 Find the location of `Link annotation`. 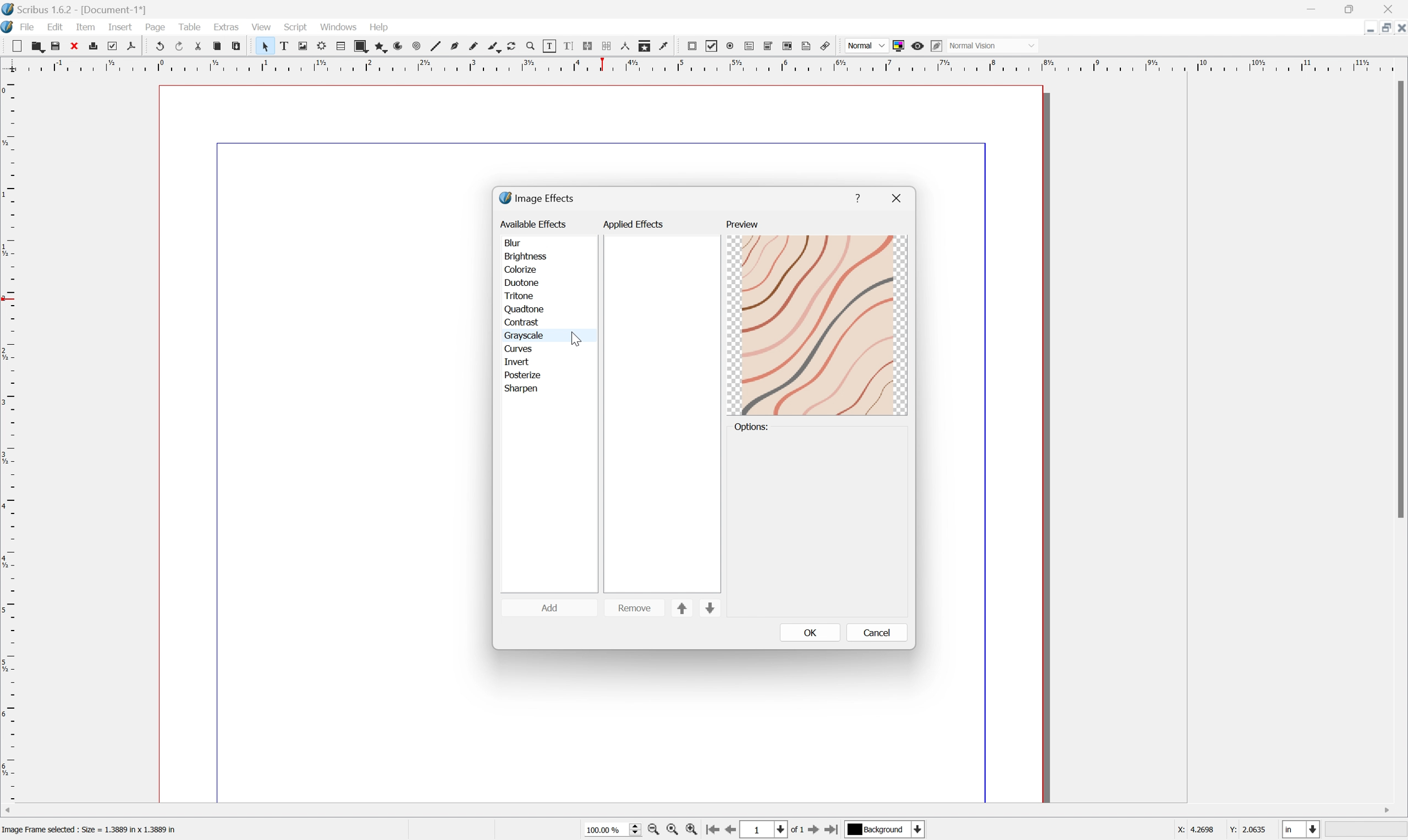

Link annotation is located at coordinates (823, 46).